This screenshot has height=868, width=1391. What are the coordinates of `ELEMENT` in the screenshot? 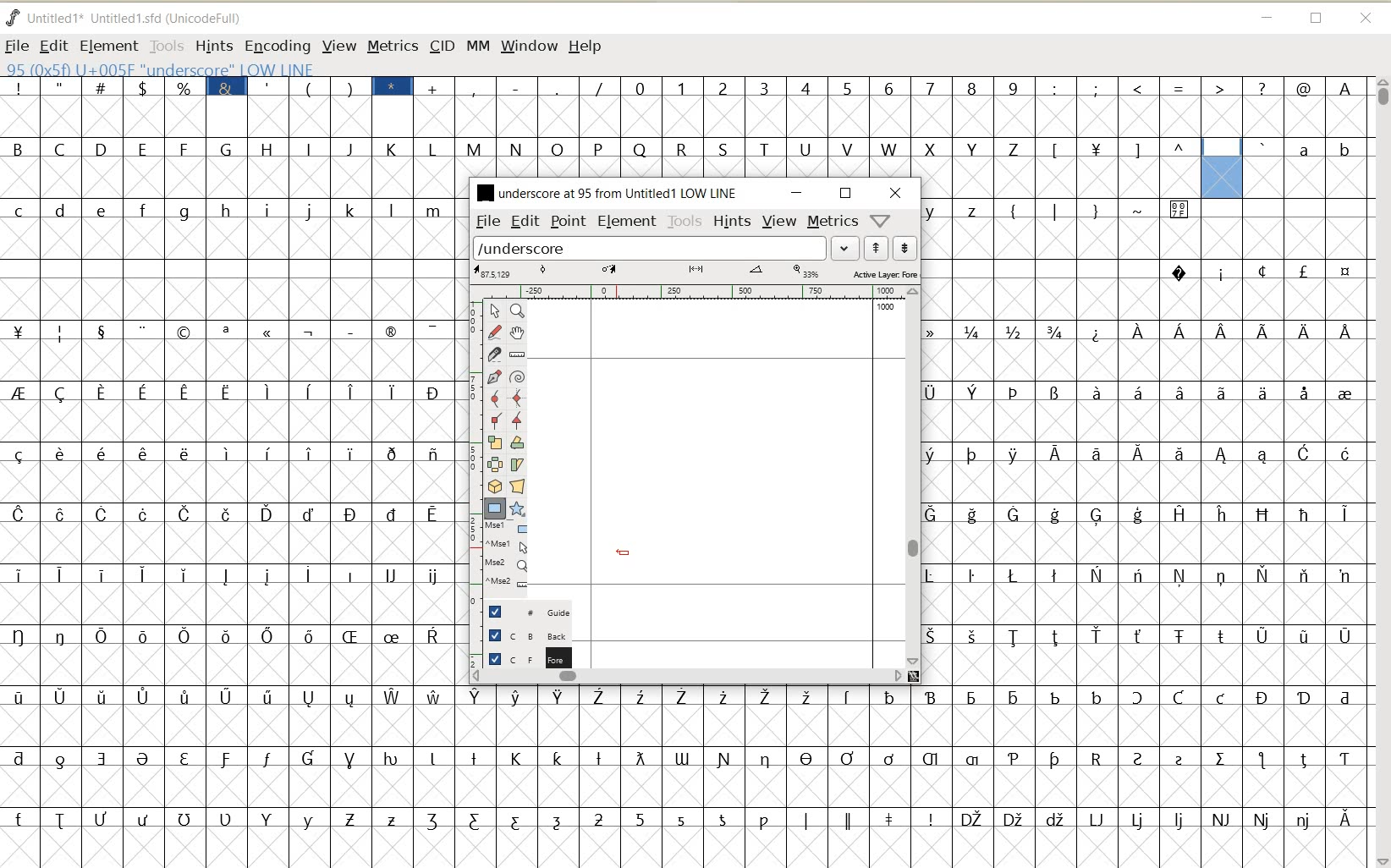 It's located at (627, 222).